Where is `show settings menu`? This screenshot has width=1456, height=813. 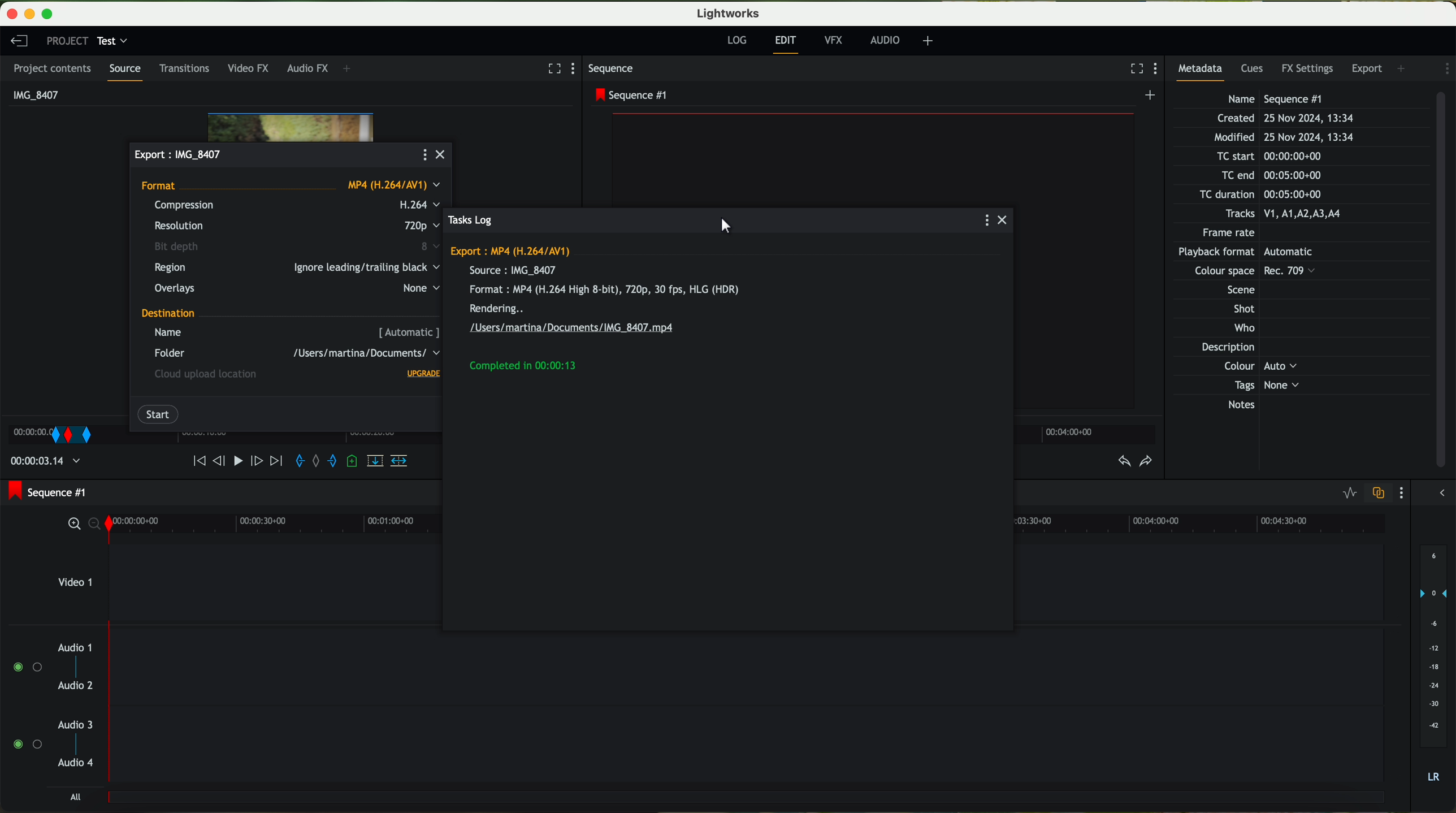 show settings menu is located at coordinates (1158, 70).